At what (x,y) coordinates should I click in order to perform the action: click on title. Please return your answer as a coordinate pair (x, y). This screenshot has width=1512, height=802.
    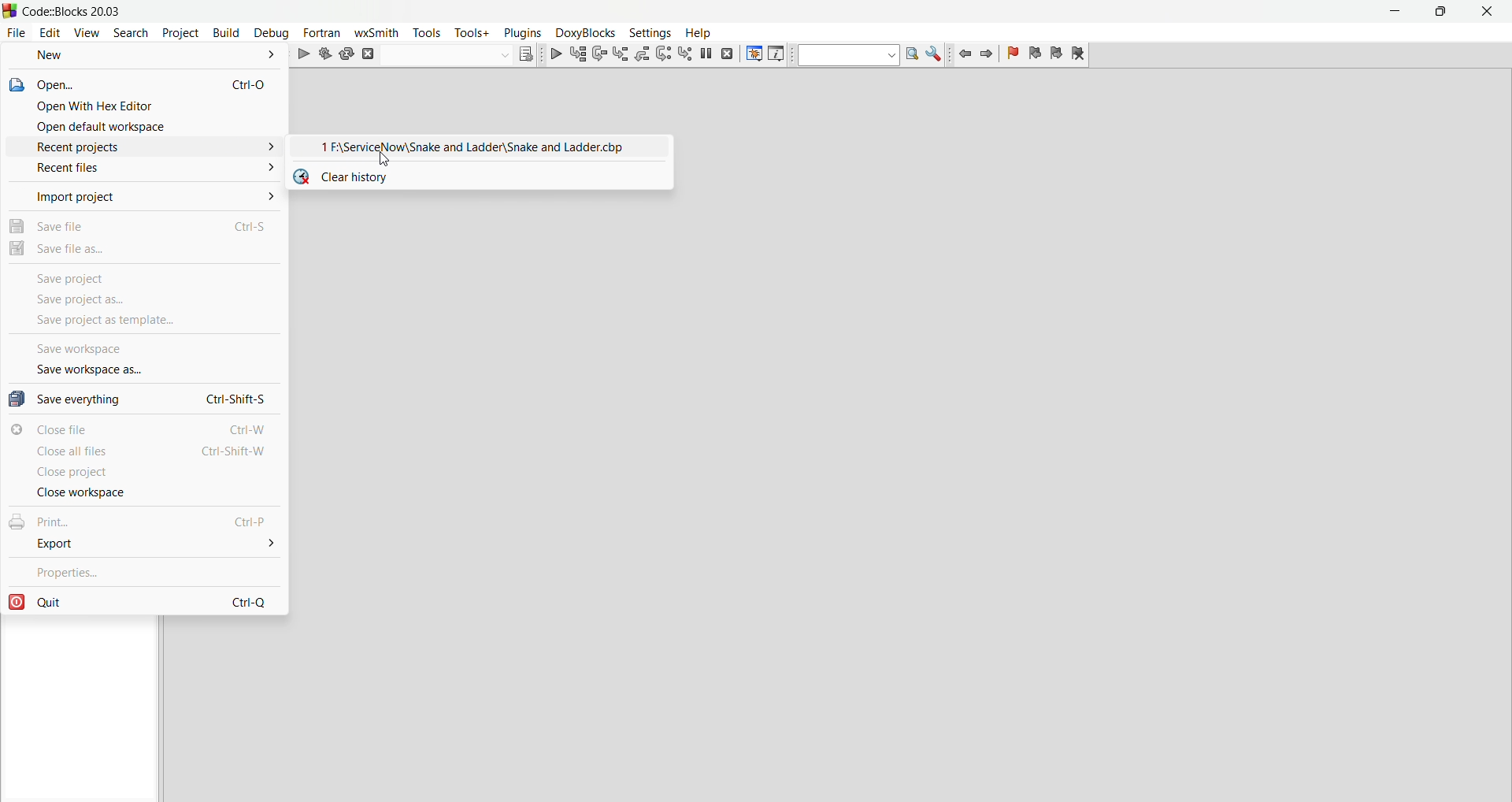
    Looking at the image, I should click on (73, 12).